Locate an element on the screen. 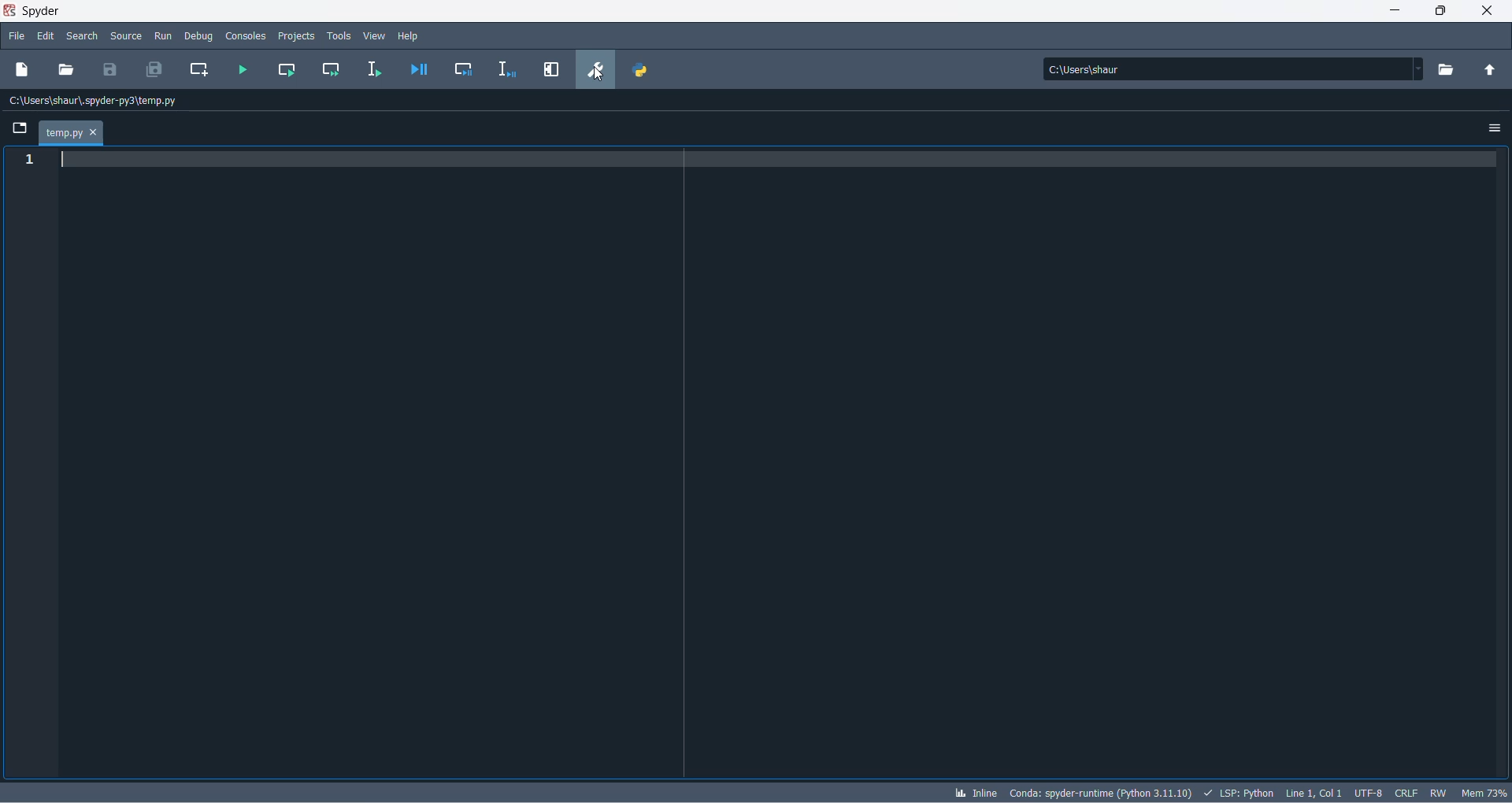 The width and height of the screenshot is (1512, 803). script is located at coordinates (1239, 792).